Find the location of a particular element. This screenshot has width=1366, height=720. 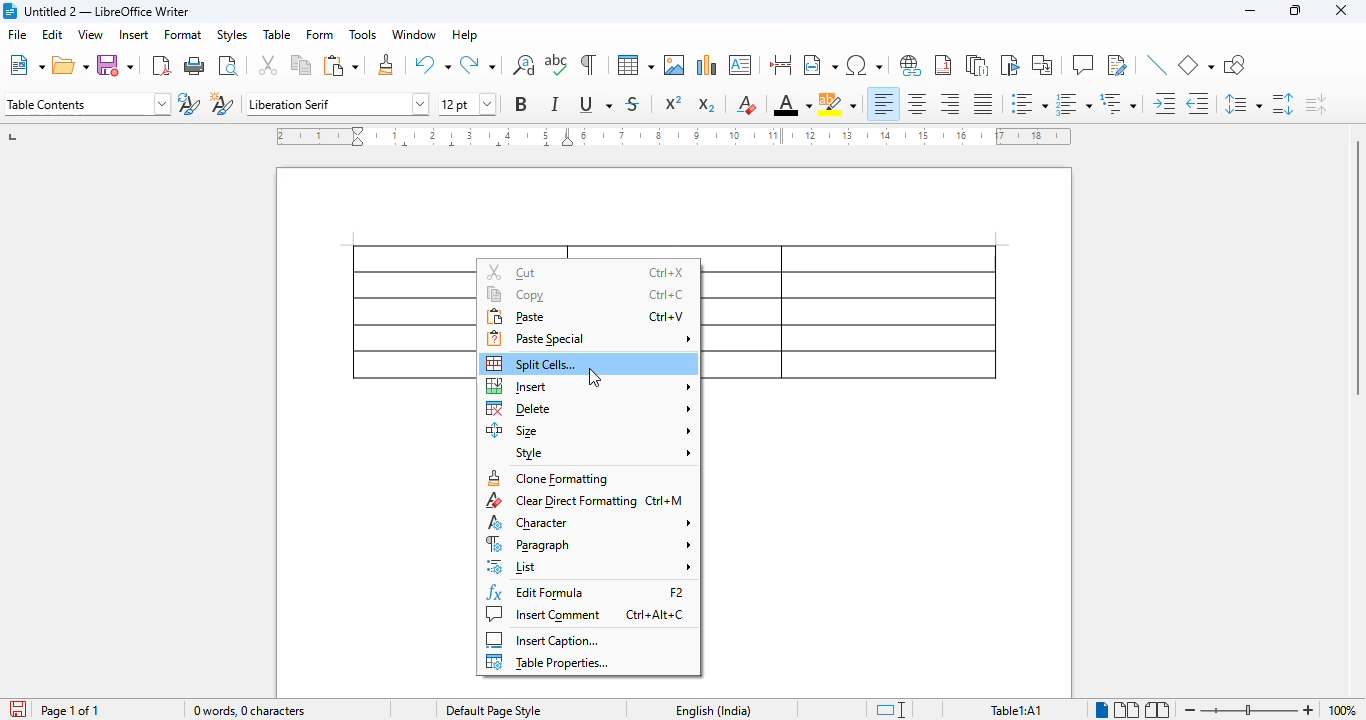

0 words,0 characters is located at coordinates (251, 709).